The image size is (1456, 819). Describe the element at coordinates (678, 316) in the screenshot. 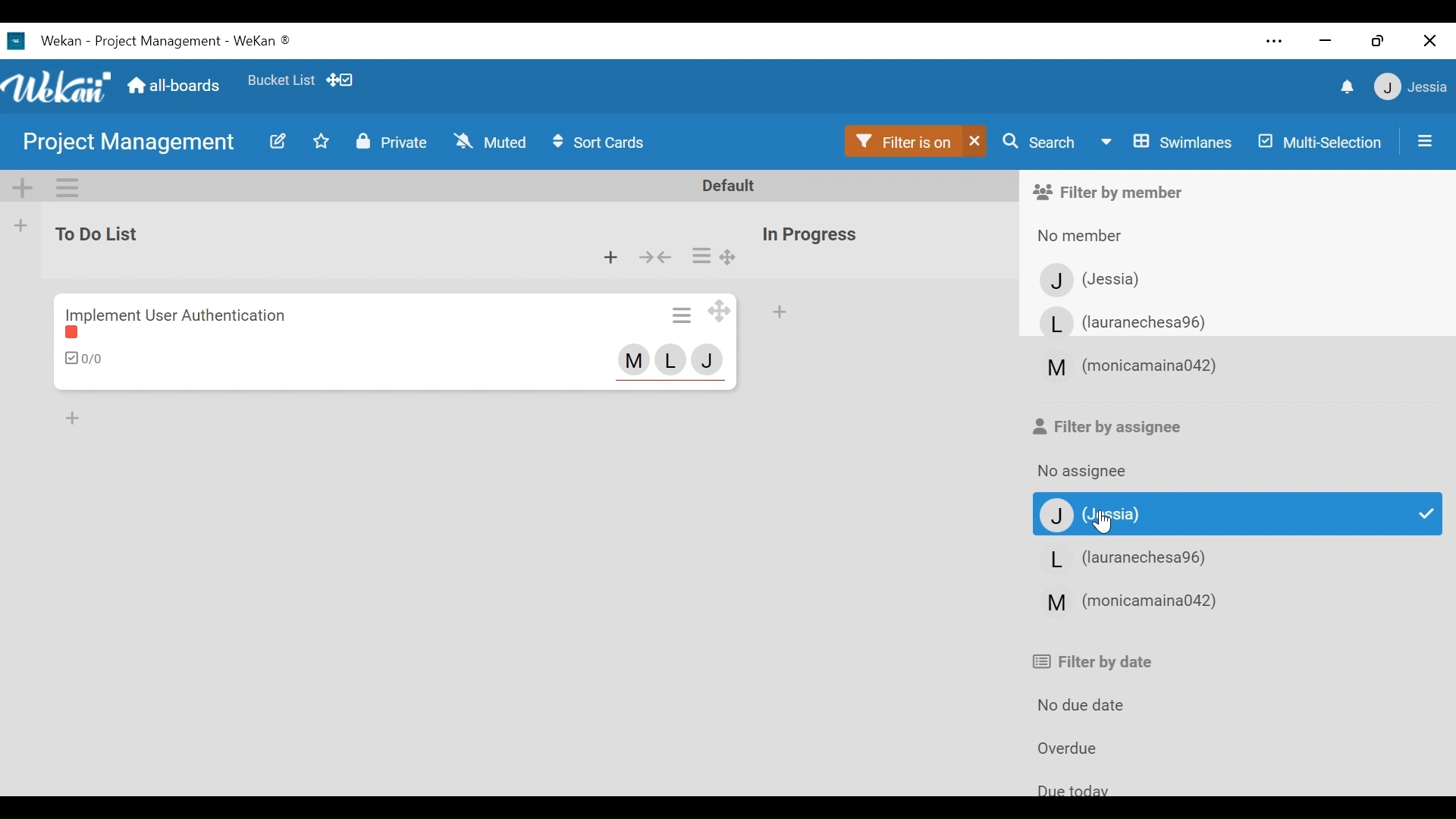

I see `Card actions` at that location.